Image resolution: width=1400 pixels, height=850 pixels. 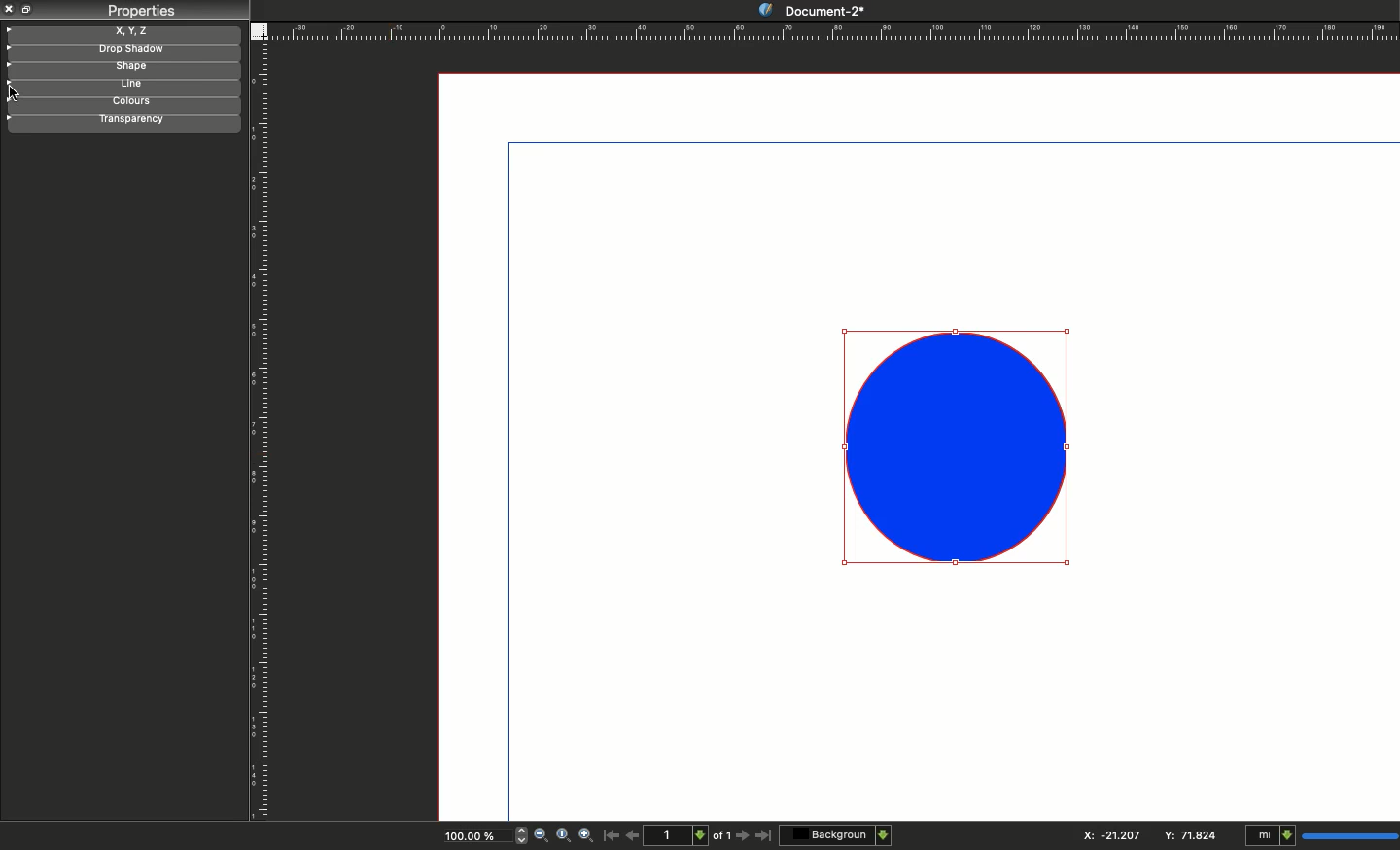 I want to click on of 1, so click(x=722, y=838).